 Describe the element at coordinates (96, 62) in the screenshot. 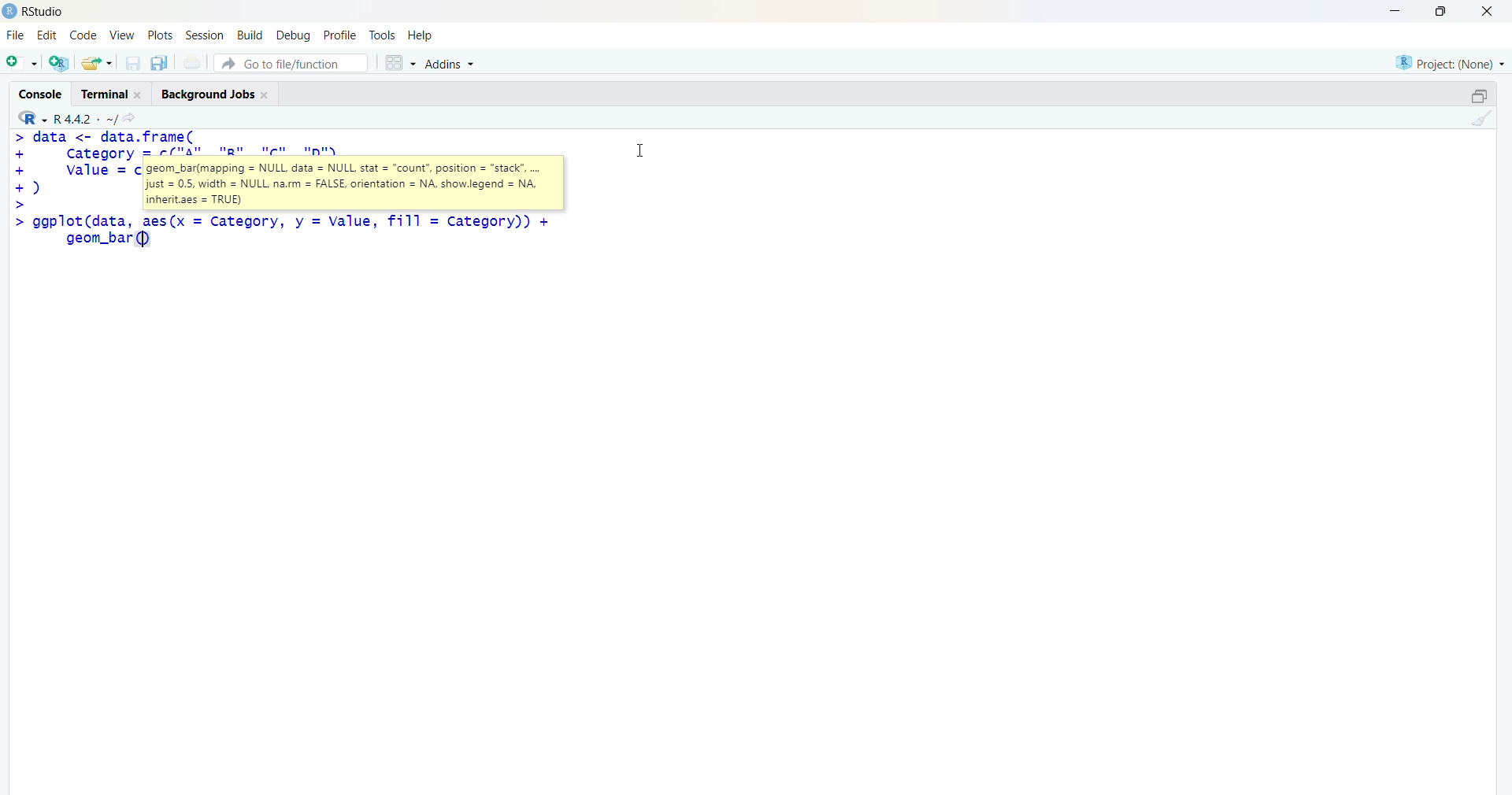

I see `open an existing file` at that location.